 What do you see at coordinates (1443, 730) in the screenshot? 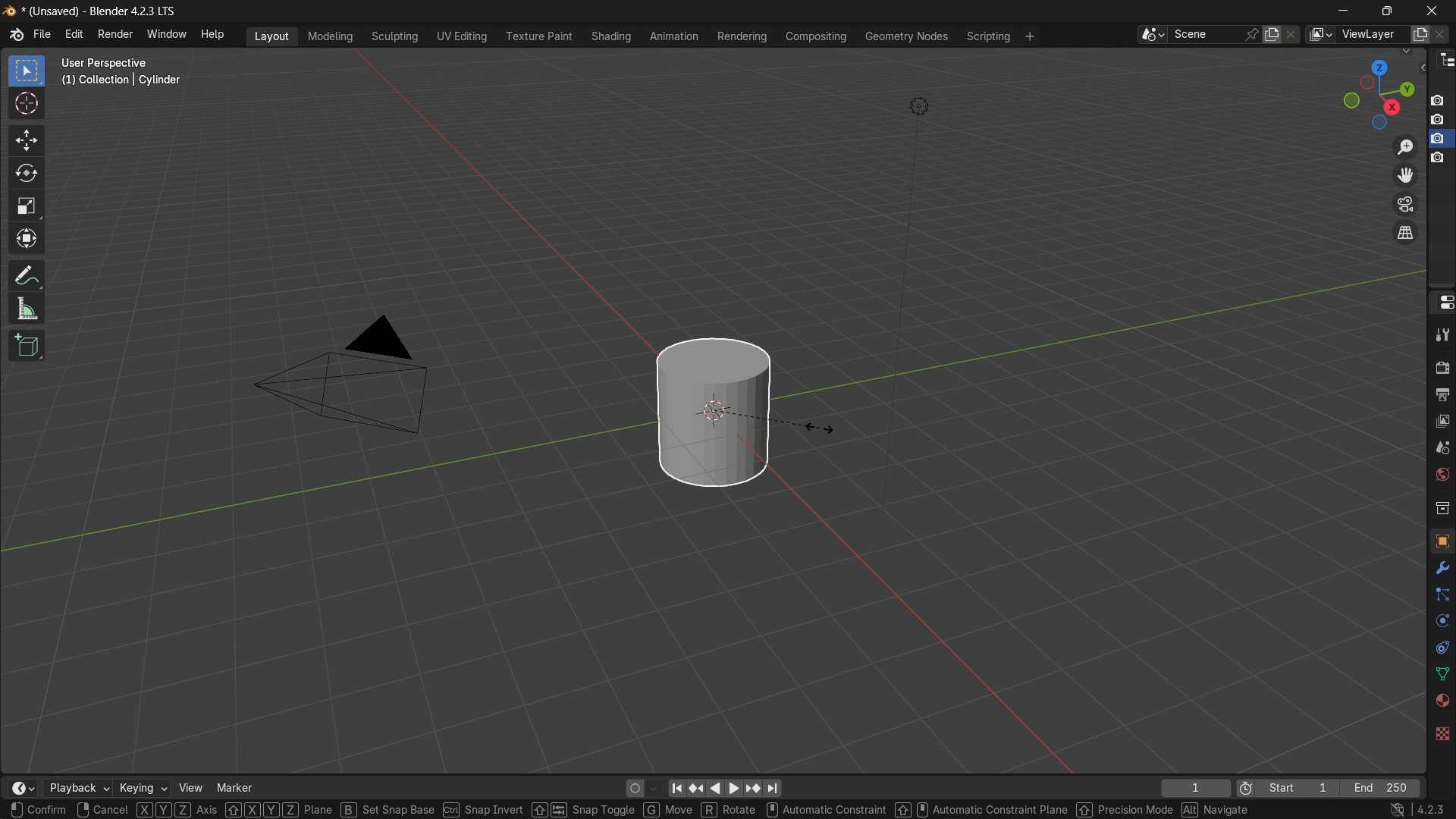
I see `textures` at bounding box center [1443, 730].